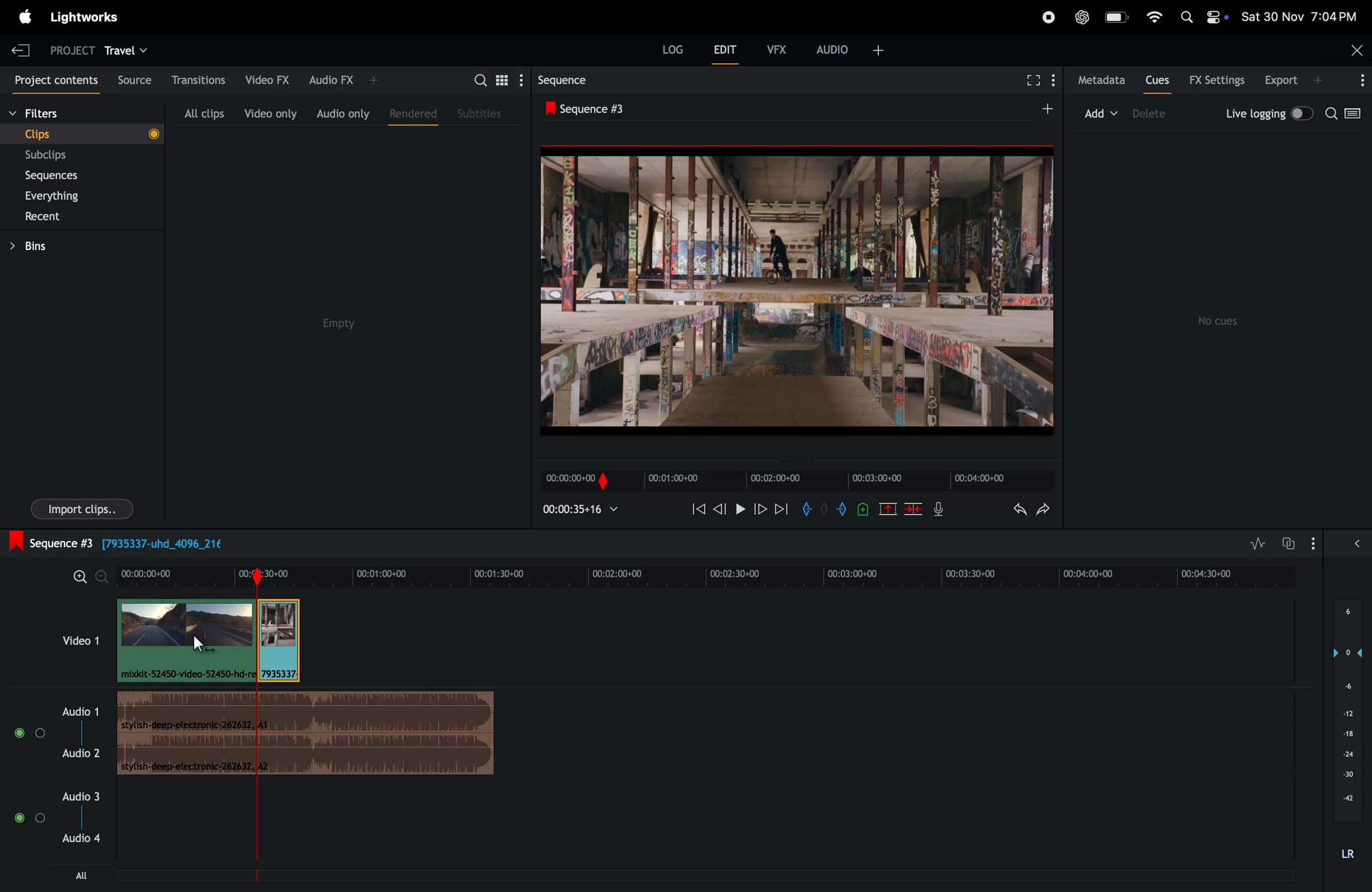  What do you see at coordinates (728, 51) in the screenshot?
I see `edit` at bounding box center [728, 51].